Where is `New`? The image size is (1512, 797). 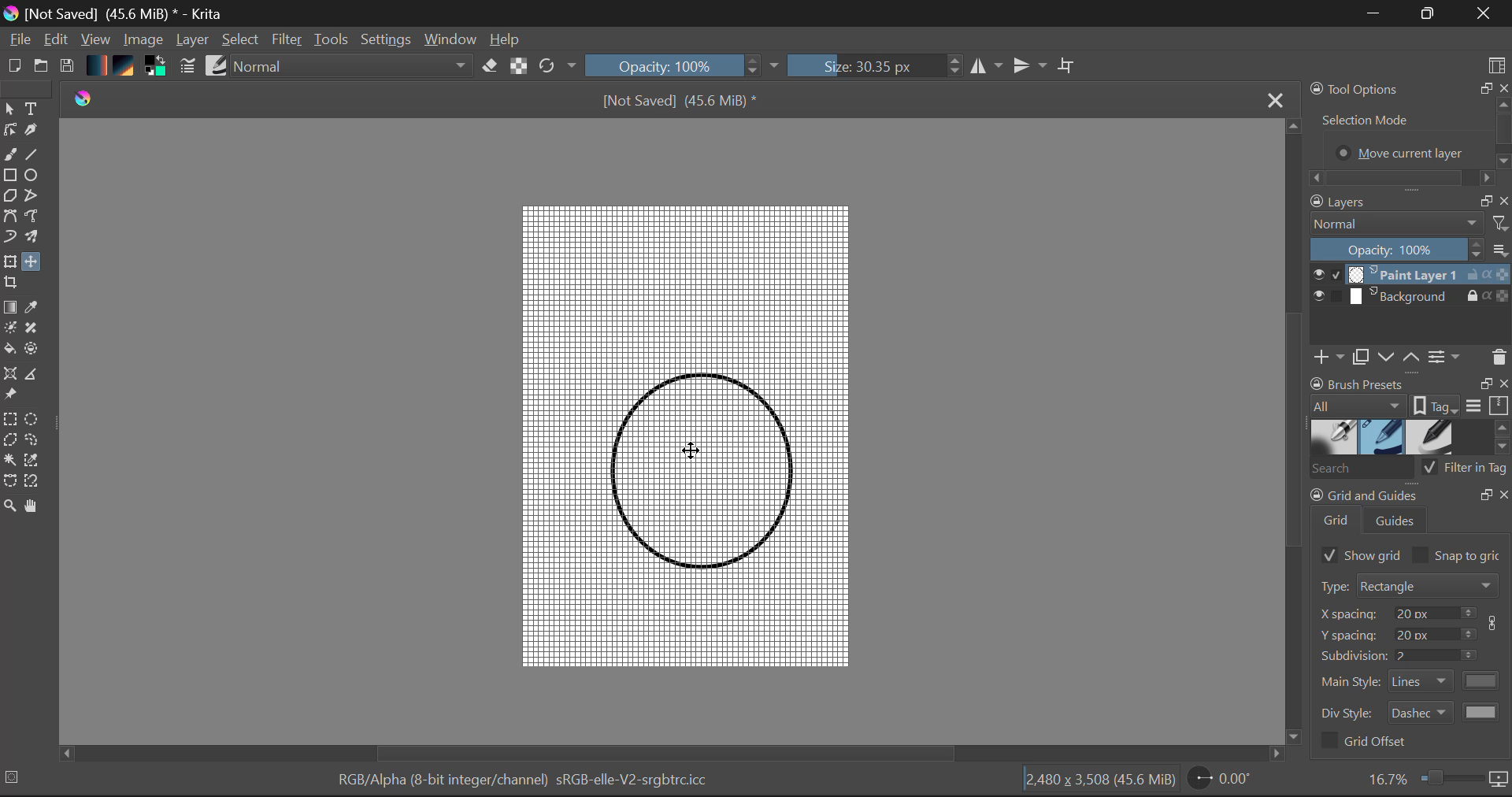
New is located at coordinates (11, 67).